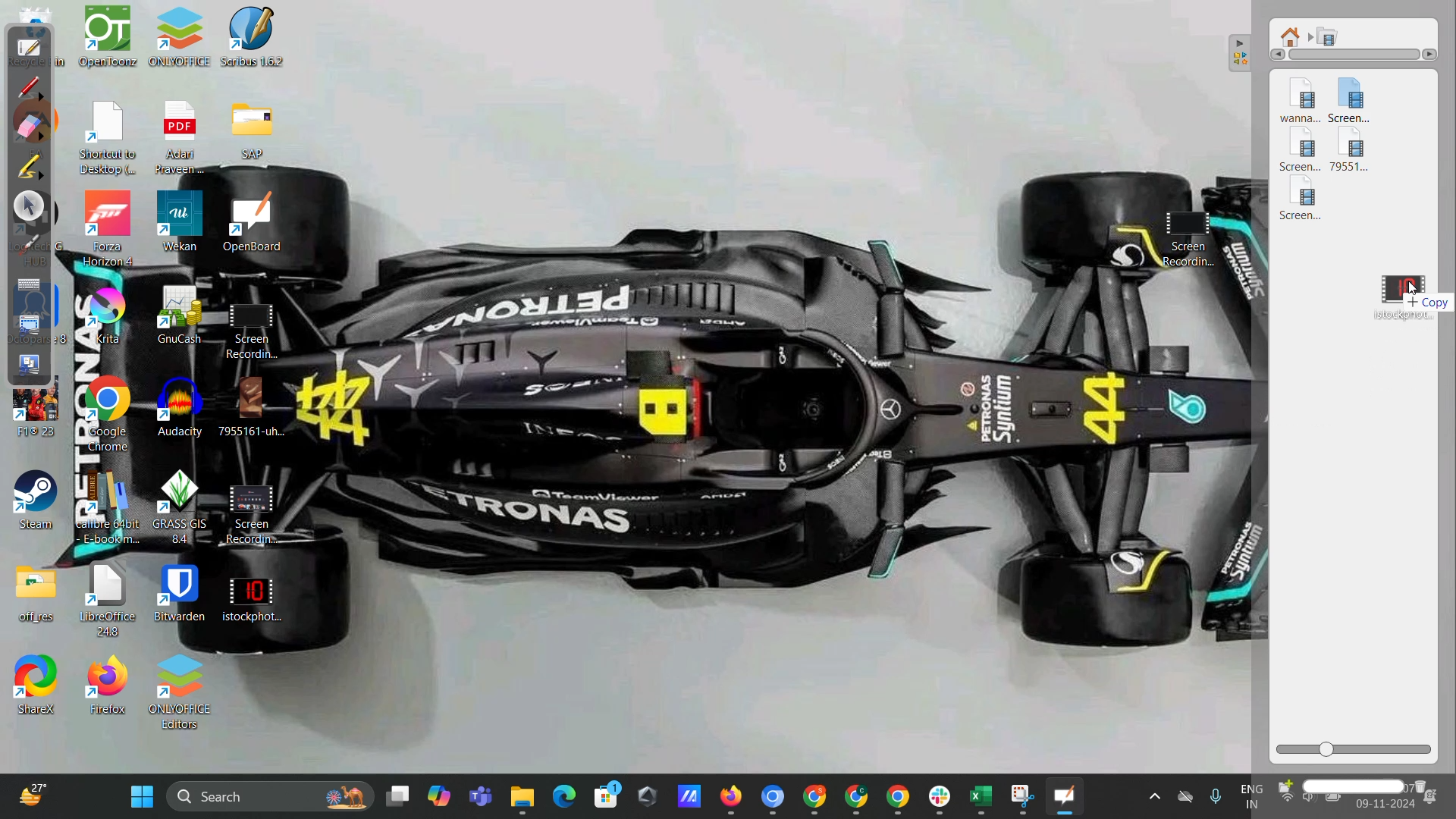 Image resolution: width=1456 pixels, height=819 pixels. Describe the element at coordinates (111, 313) in the screenshot. I see `Krita` at that location.